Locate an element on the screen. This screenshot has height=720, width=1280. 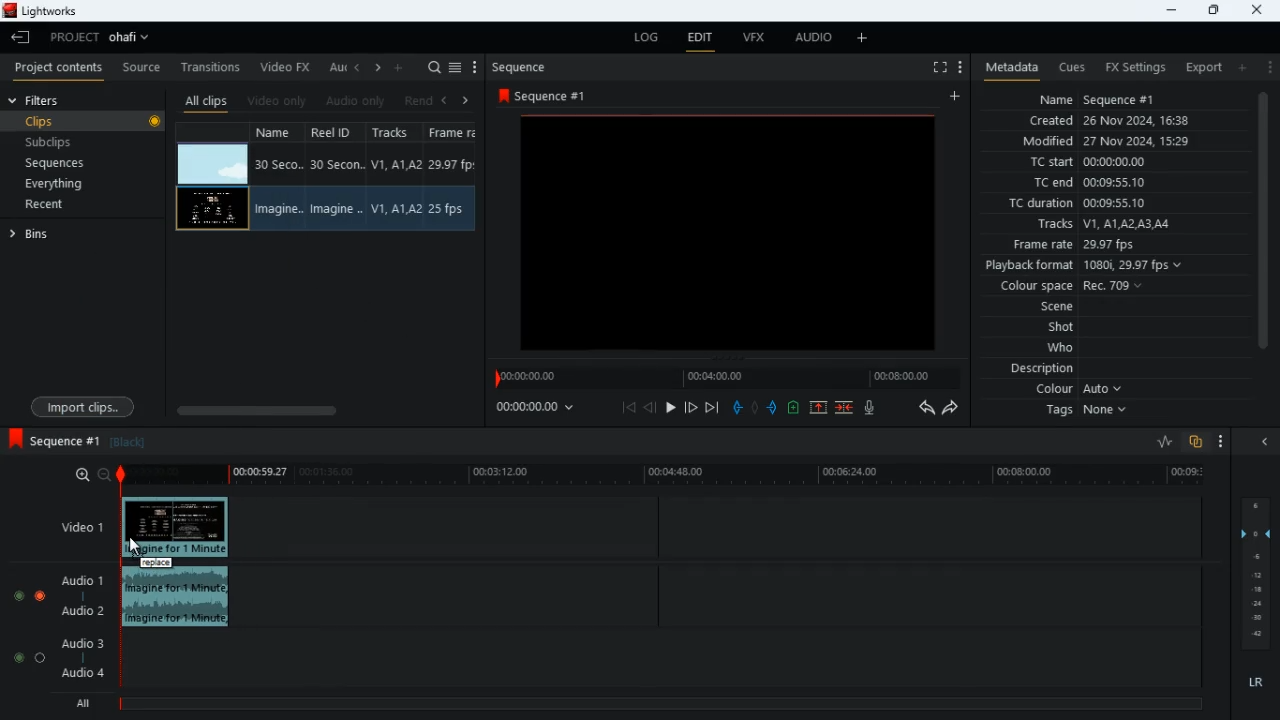
description is located at coordinates (1043, 369).